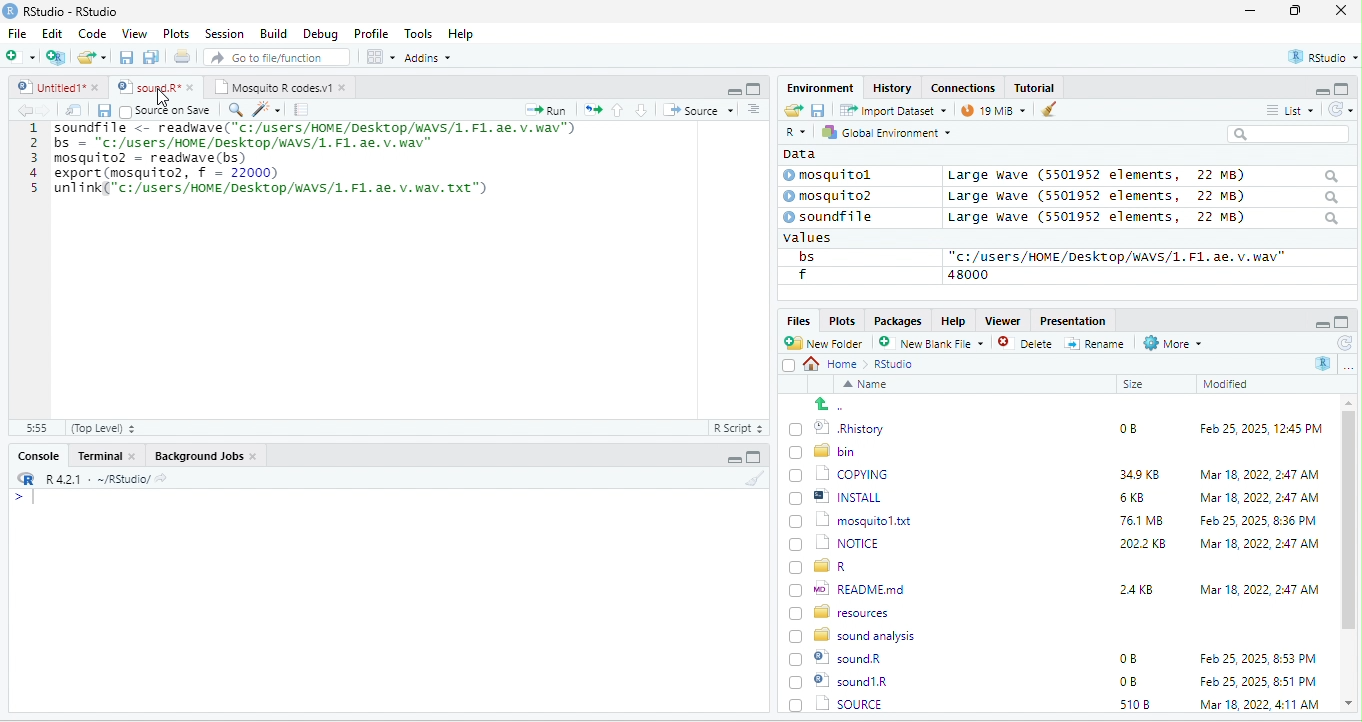 This screenshot has width=1362, height=722. I want to click on scroll bar, so click(759, 267).